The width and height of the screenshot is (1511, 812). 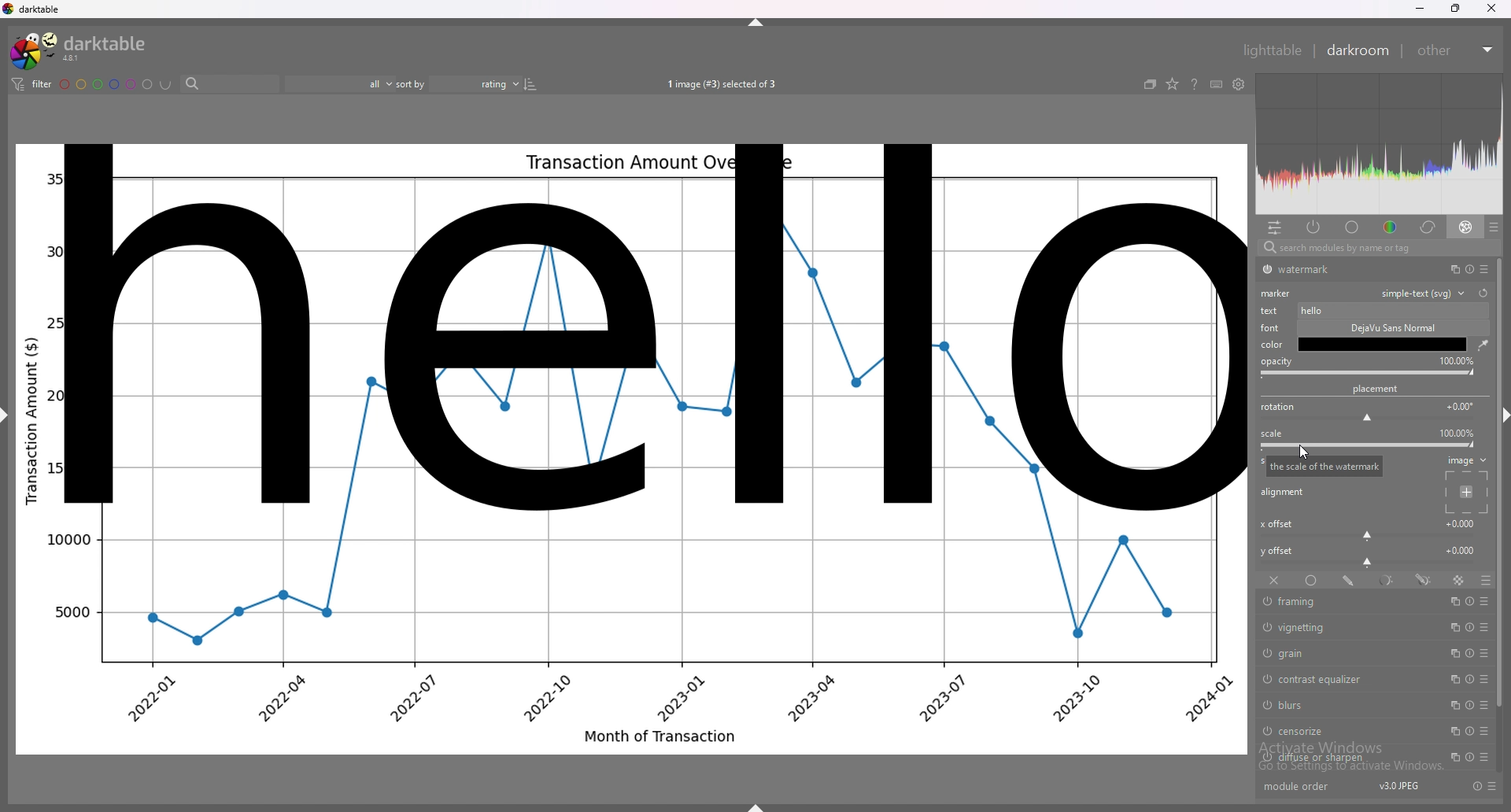 What do you see at coordinates (1276, 293) in the screenshot?
I see `marker` at bounding box center [1276, 293].